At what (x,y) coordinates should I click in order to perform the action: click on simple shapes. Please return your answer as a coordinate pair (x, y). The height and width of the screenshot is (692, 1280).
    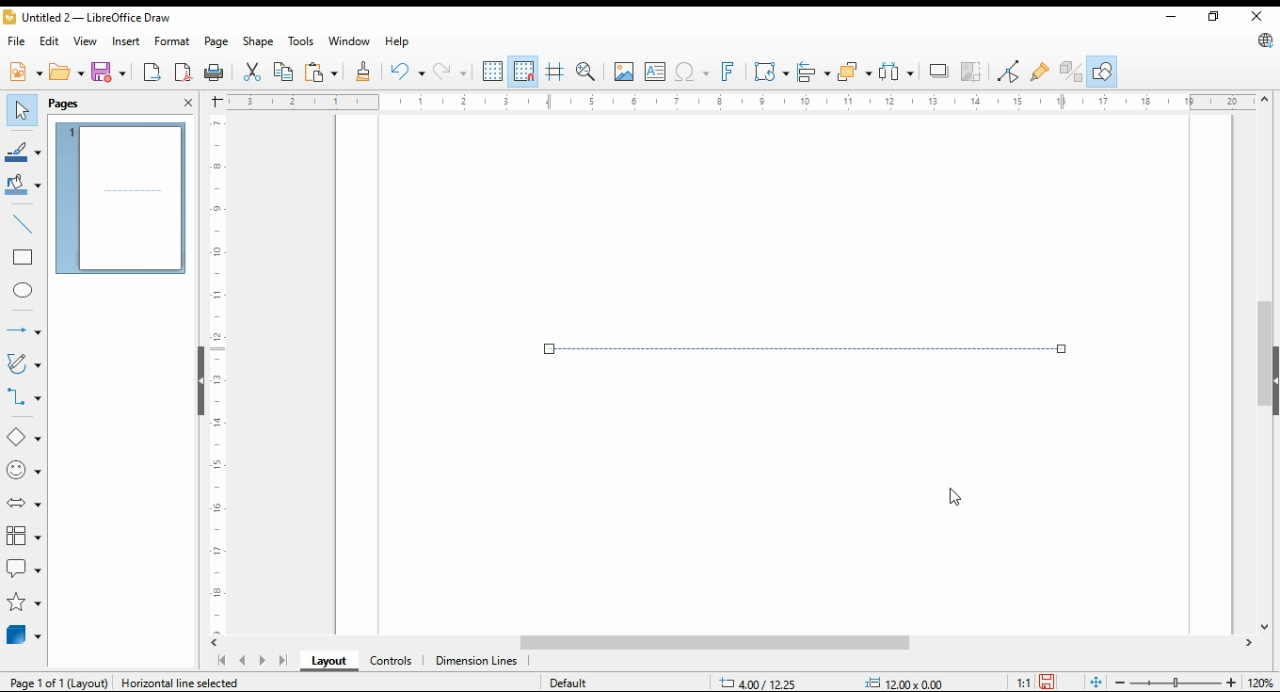
    Looking at the image, I should click on (25, 436).